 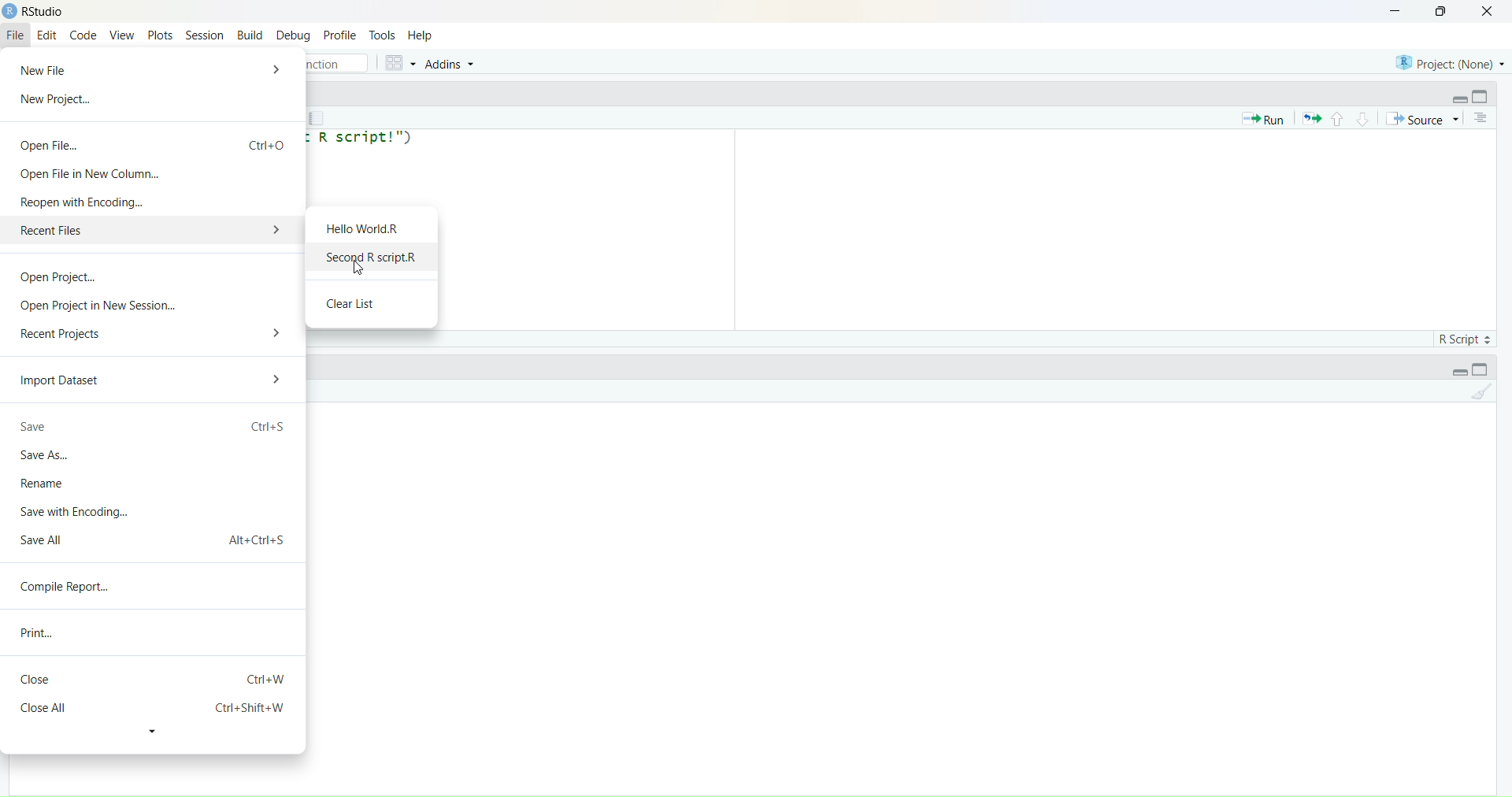 I want to click on Close Ctrl+W, so click(x=155, y=679).